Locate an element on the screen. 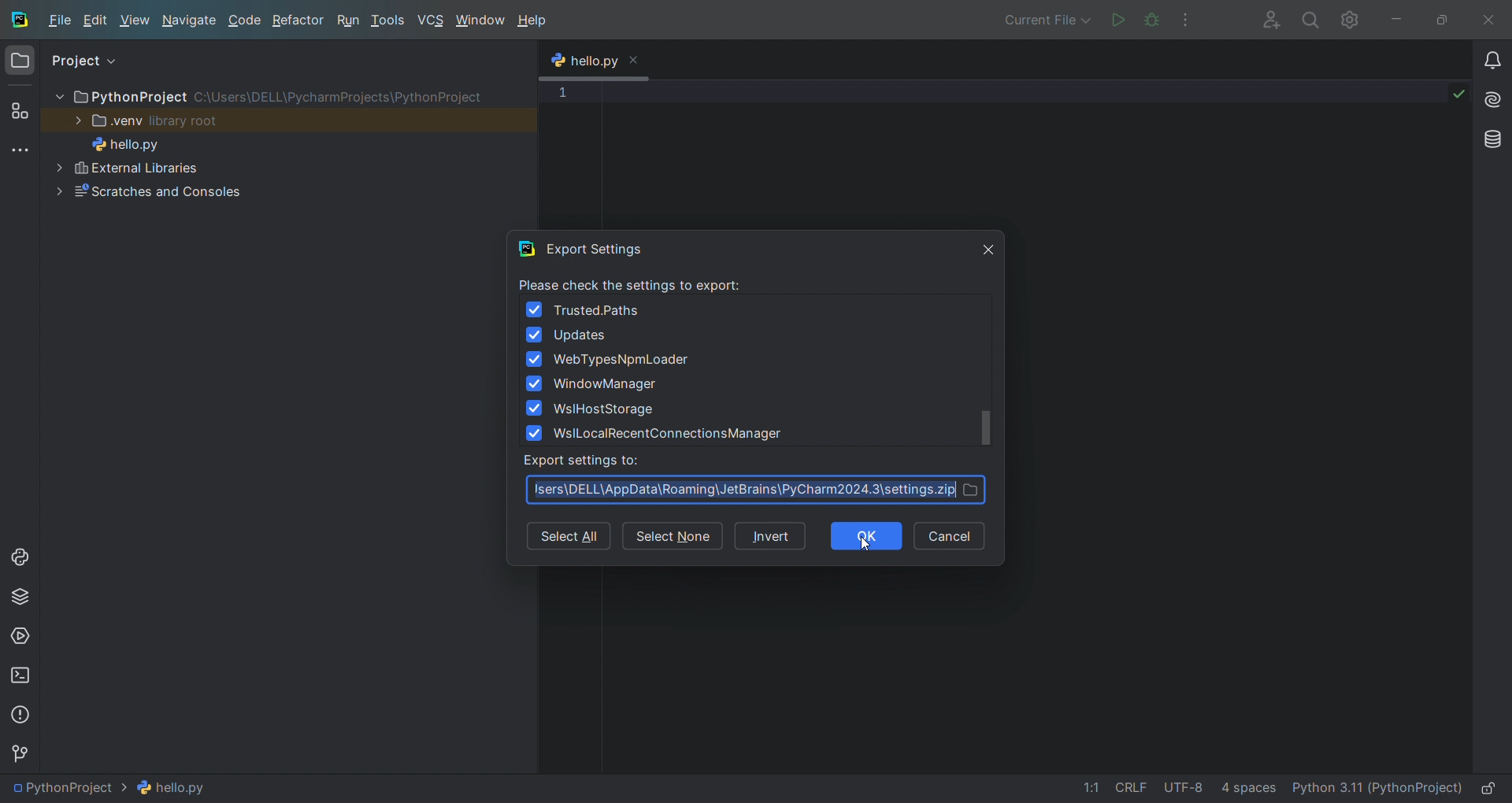 The image size is (1512, 803). help is located at coordinates (532, 22).